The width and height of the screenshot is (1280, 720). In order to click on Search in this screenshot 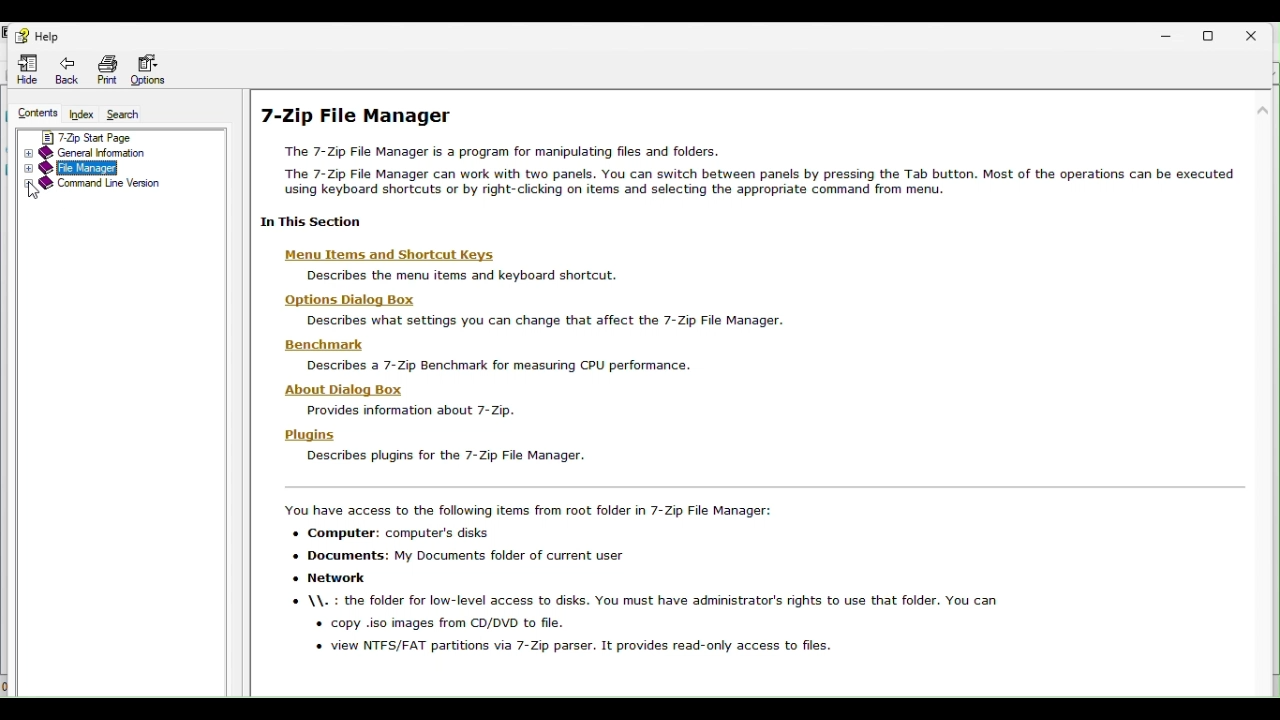, I will do `click(132, 113)`.